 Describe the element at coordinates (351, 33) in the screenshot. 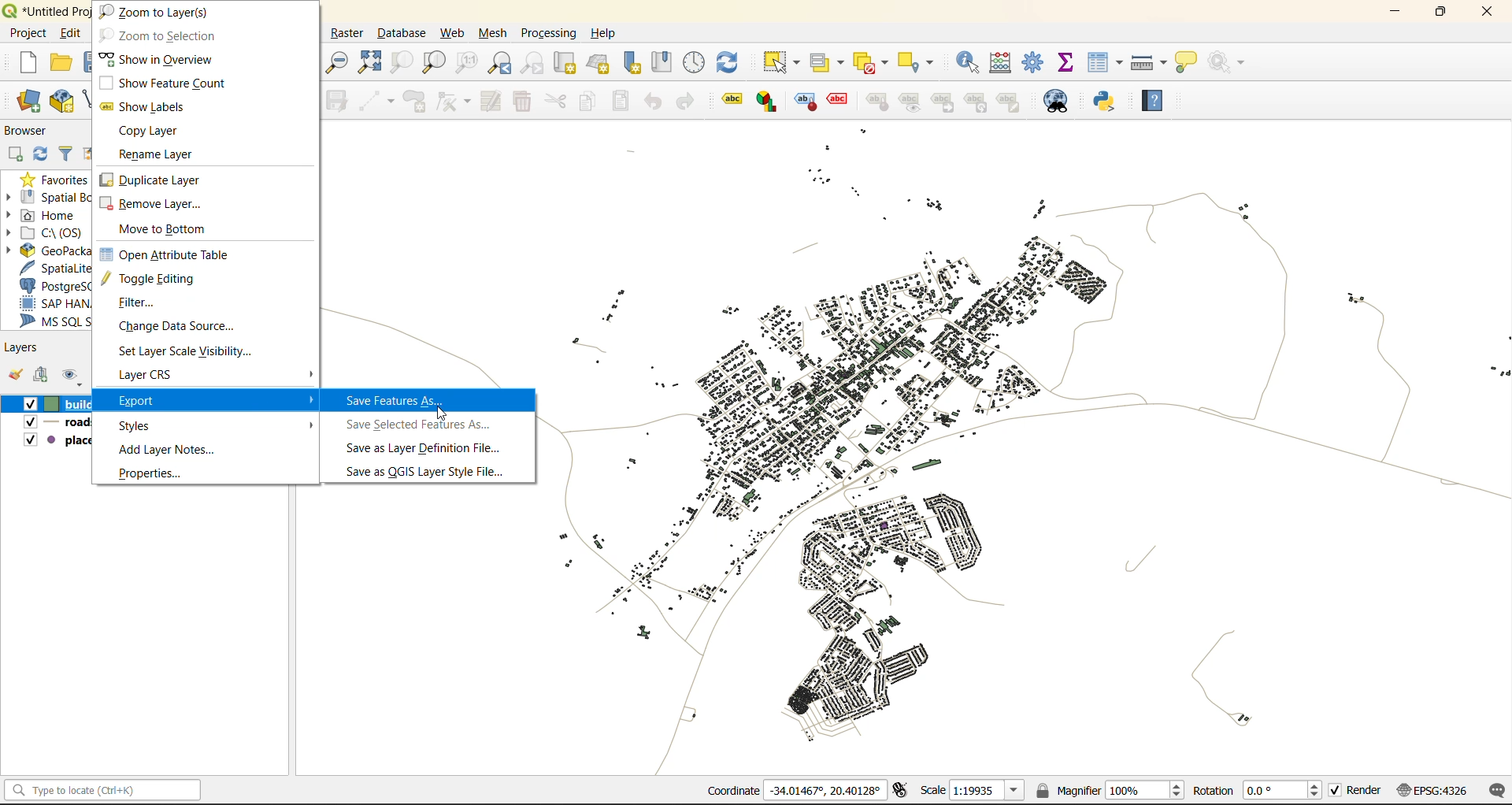

I see `raster` at that location.